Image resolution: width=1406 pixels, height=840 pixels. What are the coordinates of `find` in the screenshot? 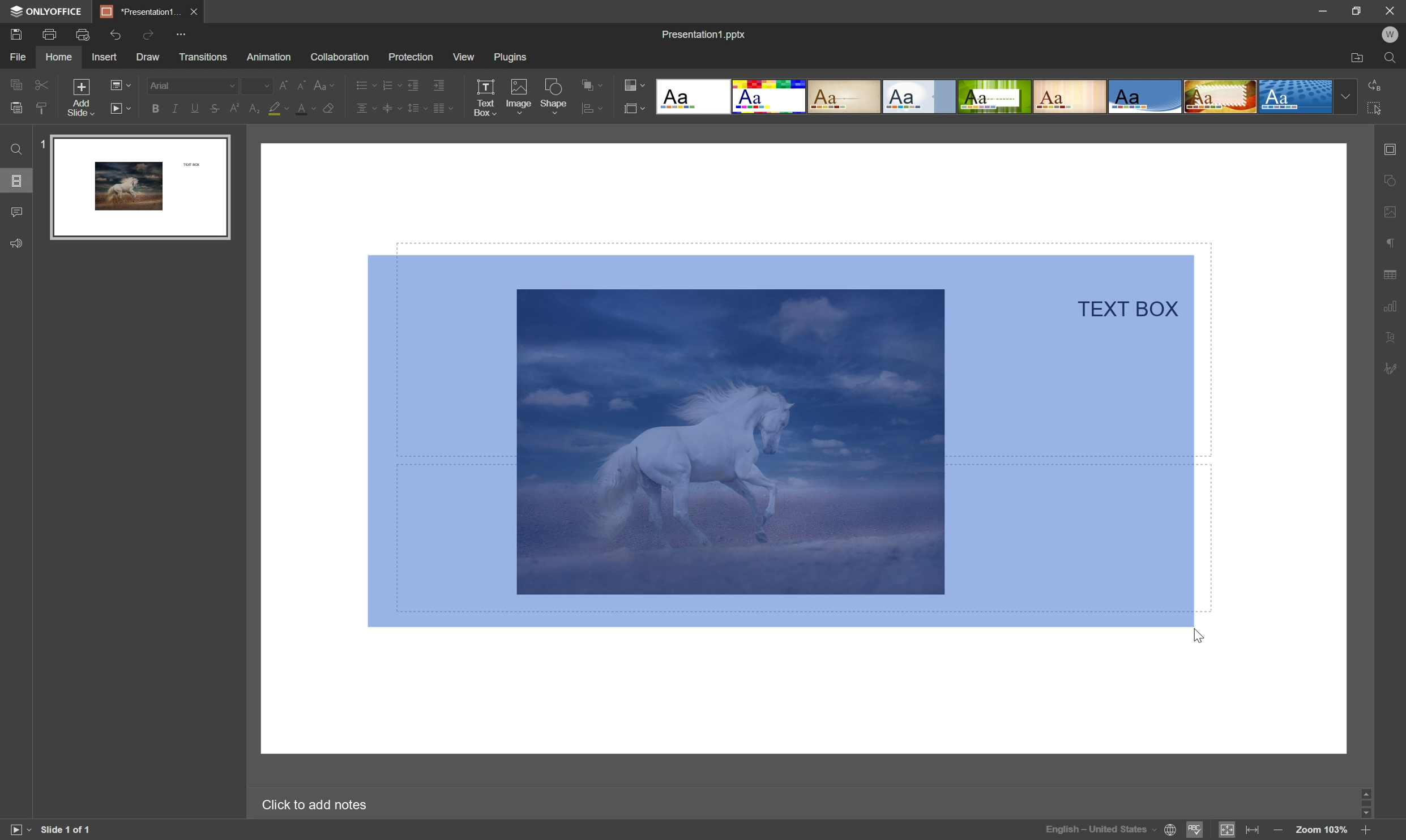 It's located at (15, 149).